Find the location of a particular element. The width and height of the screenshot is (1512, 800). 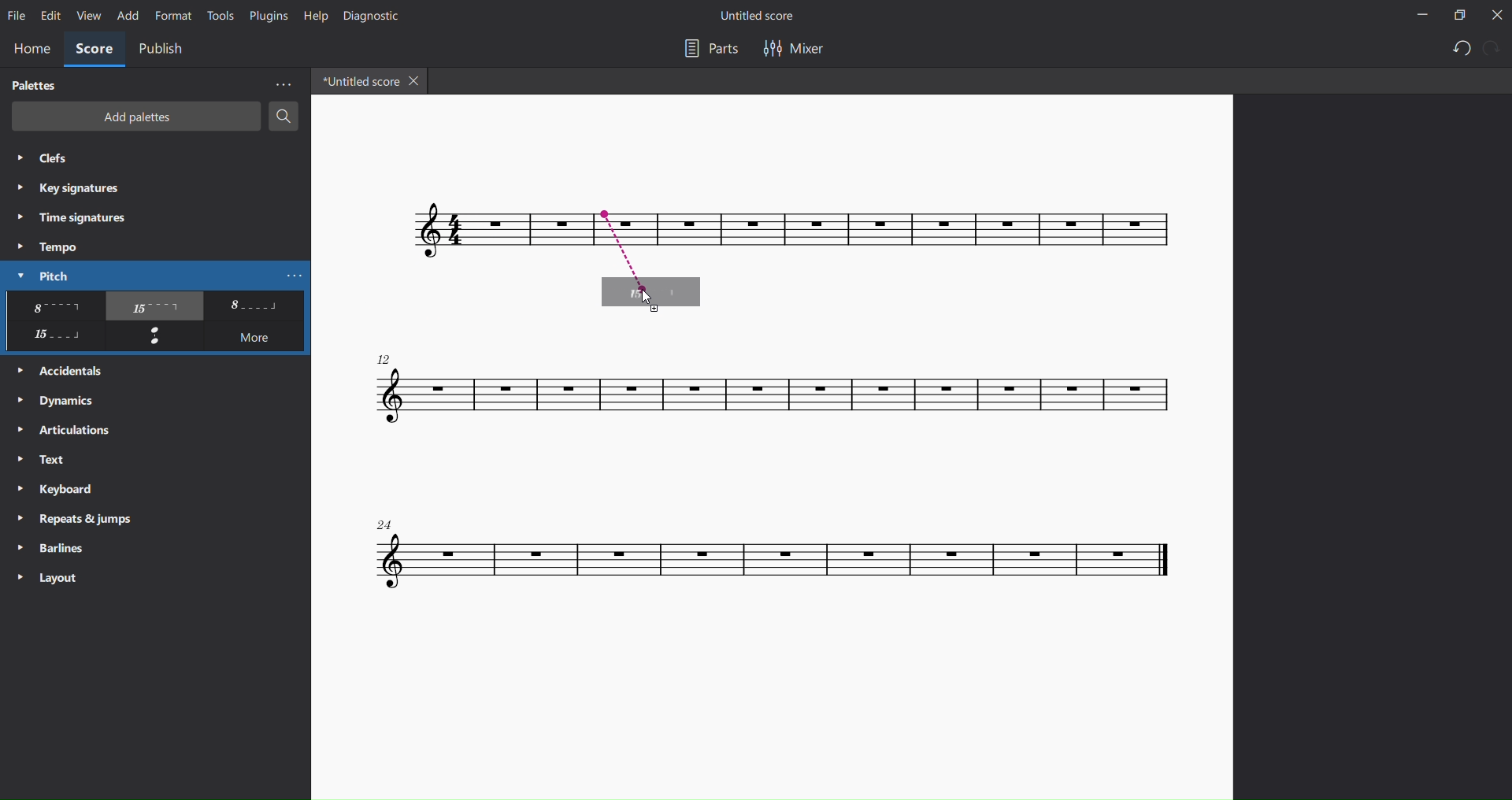

view is located at coordinates (87, 16).